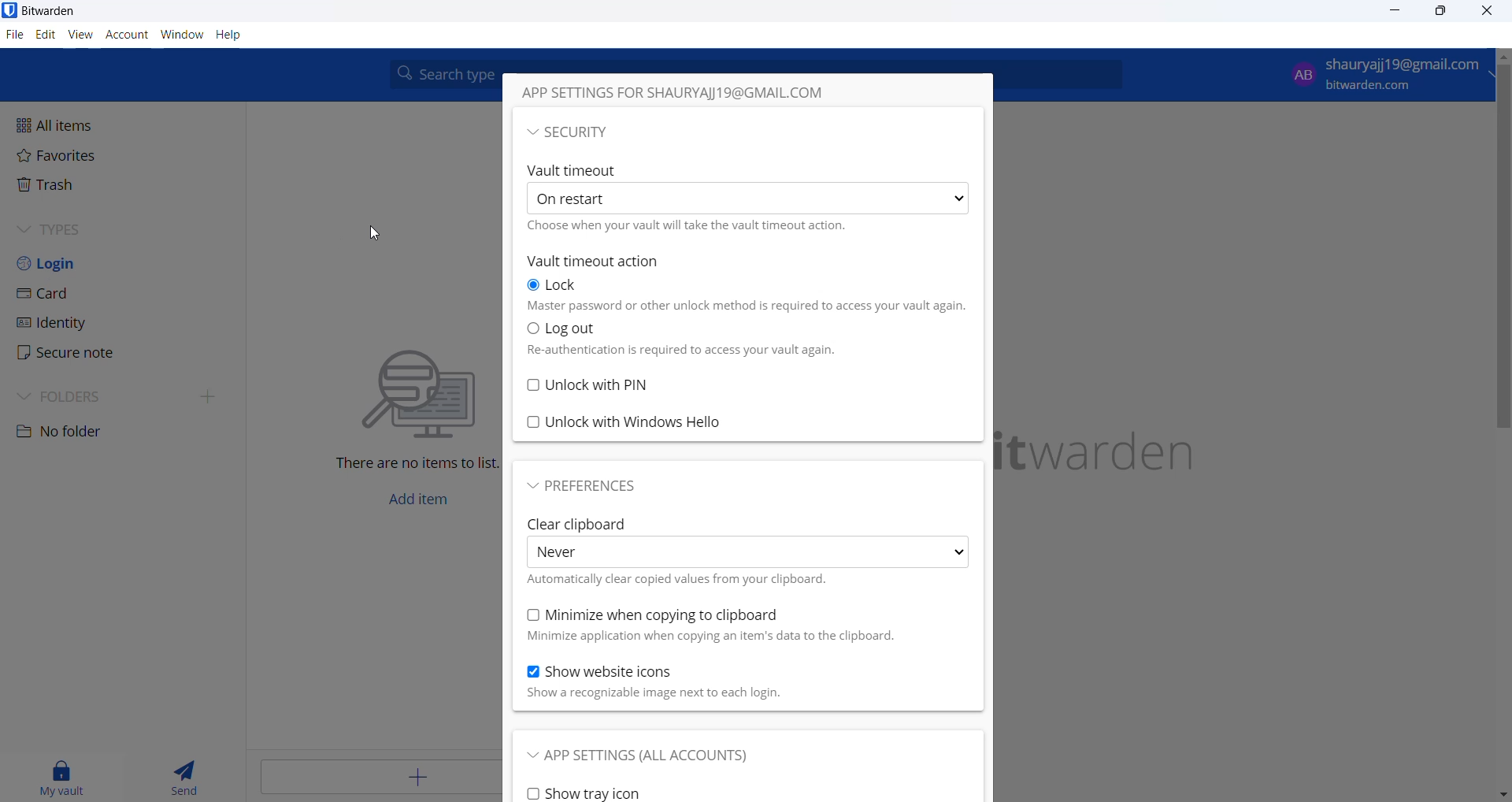 The height and width of the screenshot is (802, 1512). Describe the element at coordinates (98, 228) in the screenshot. I see `types` at that location.